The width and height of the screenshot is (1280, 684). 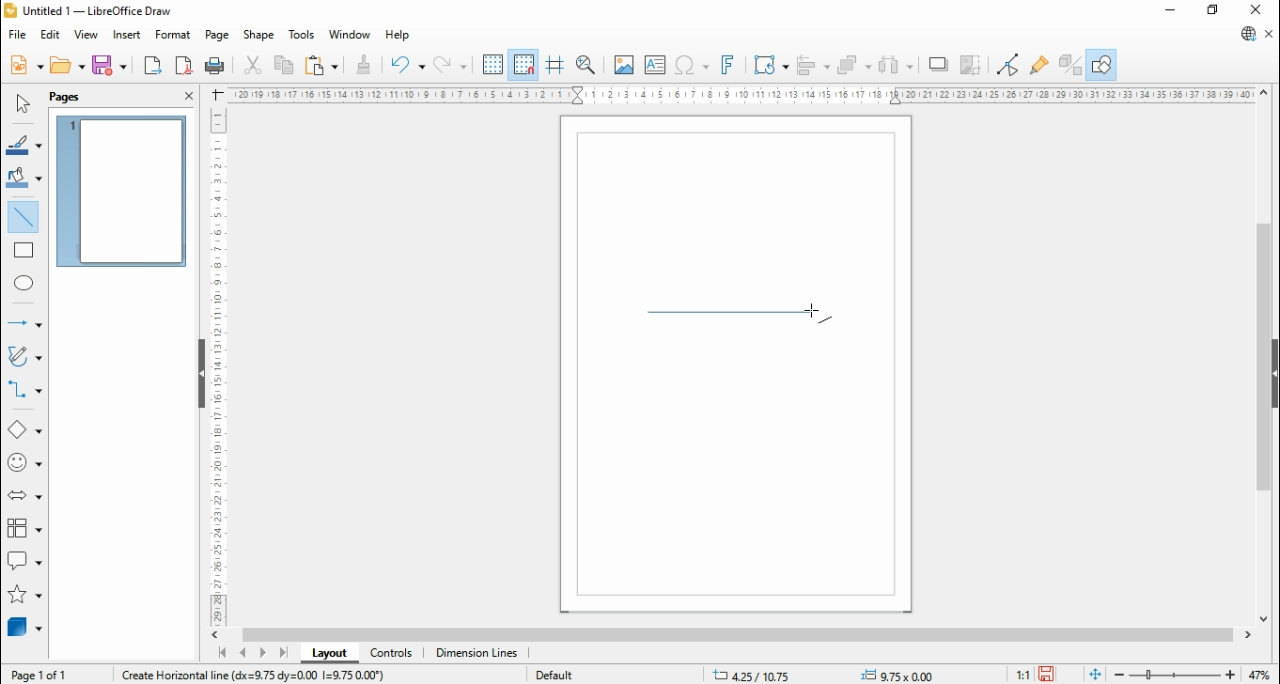 I want to click on export as pdf, so click(x=185, y=66).